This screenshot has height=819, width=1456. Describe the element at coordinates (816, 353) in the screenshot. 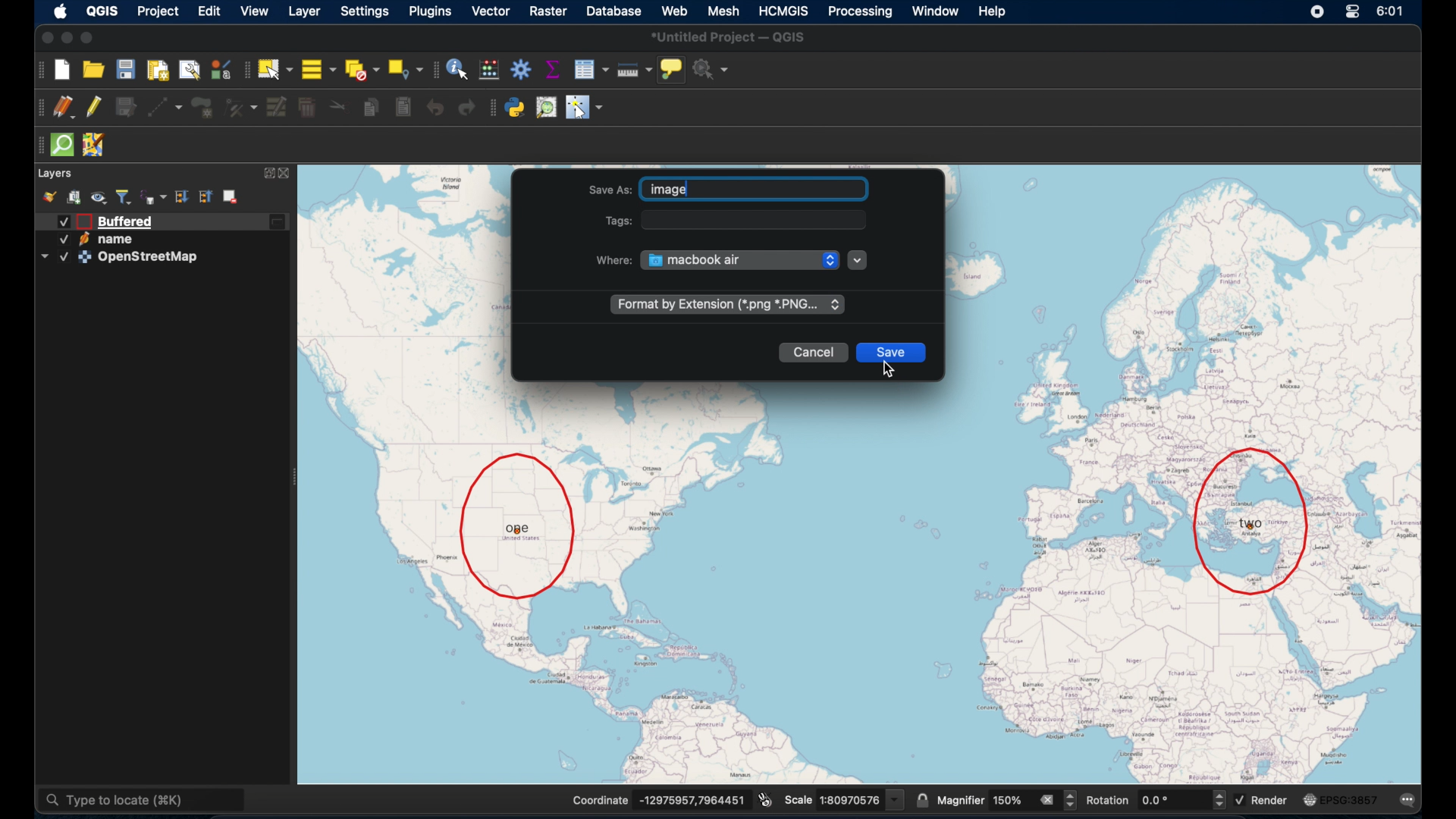

I see `cancel` at that location.